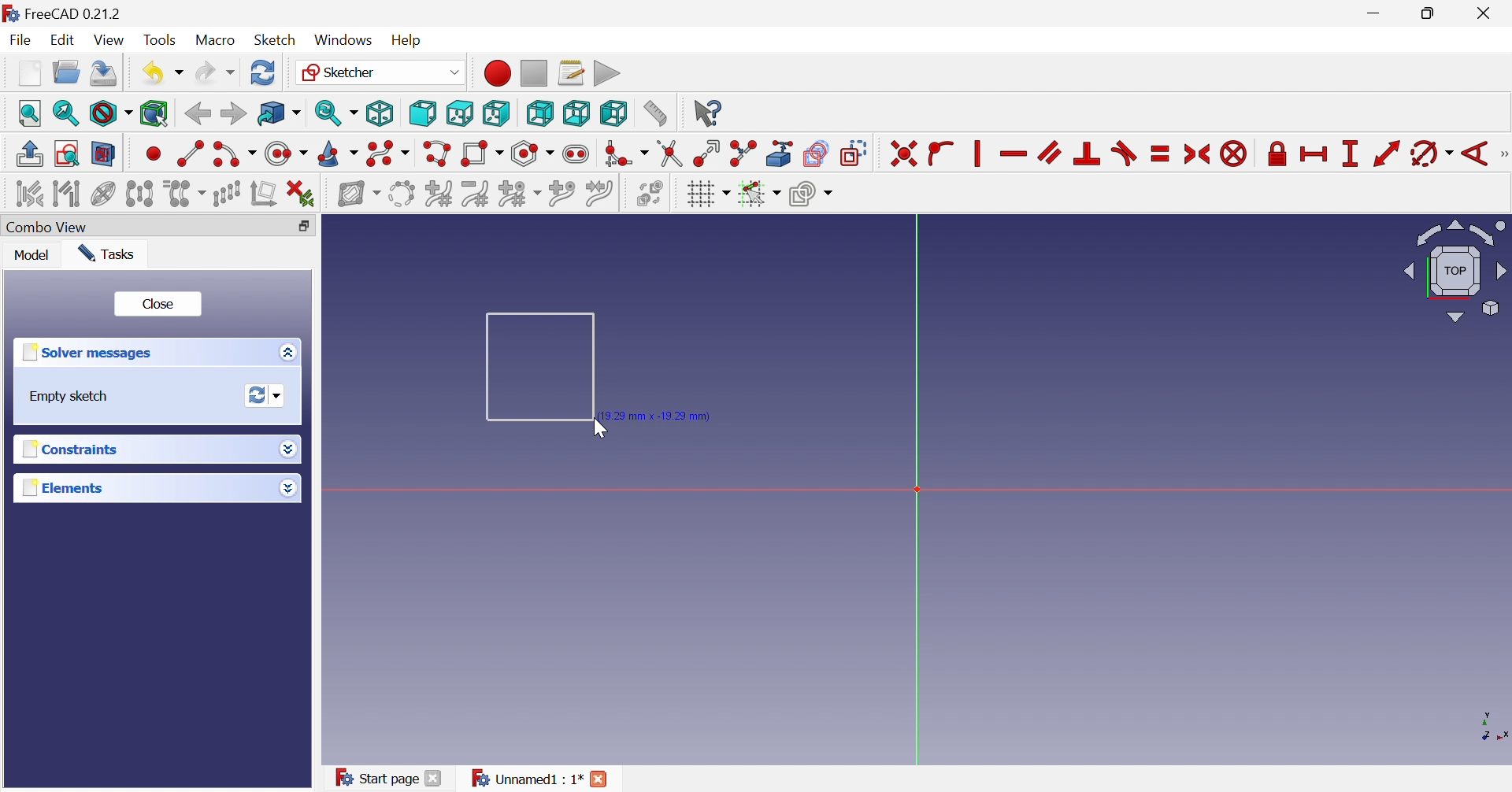 The height and width of the screenshot is (792, 1512). I want to click on Close, so click(1487, 14).